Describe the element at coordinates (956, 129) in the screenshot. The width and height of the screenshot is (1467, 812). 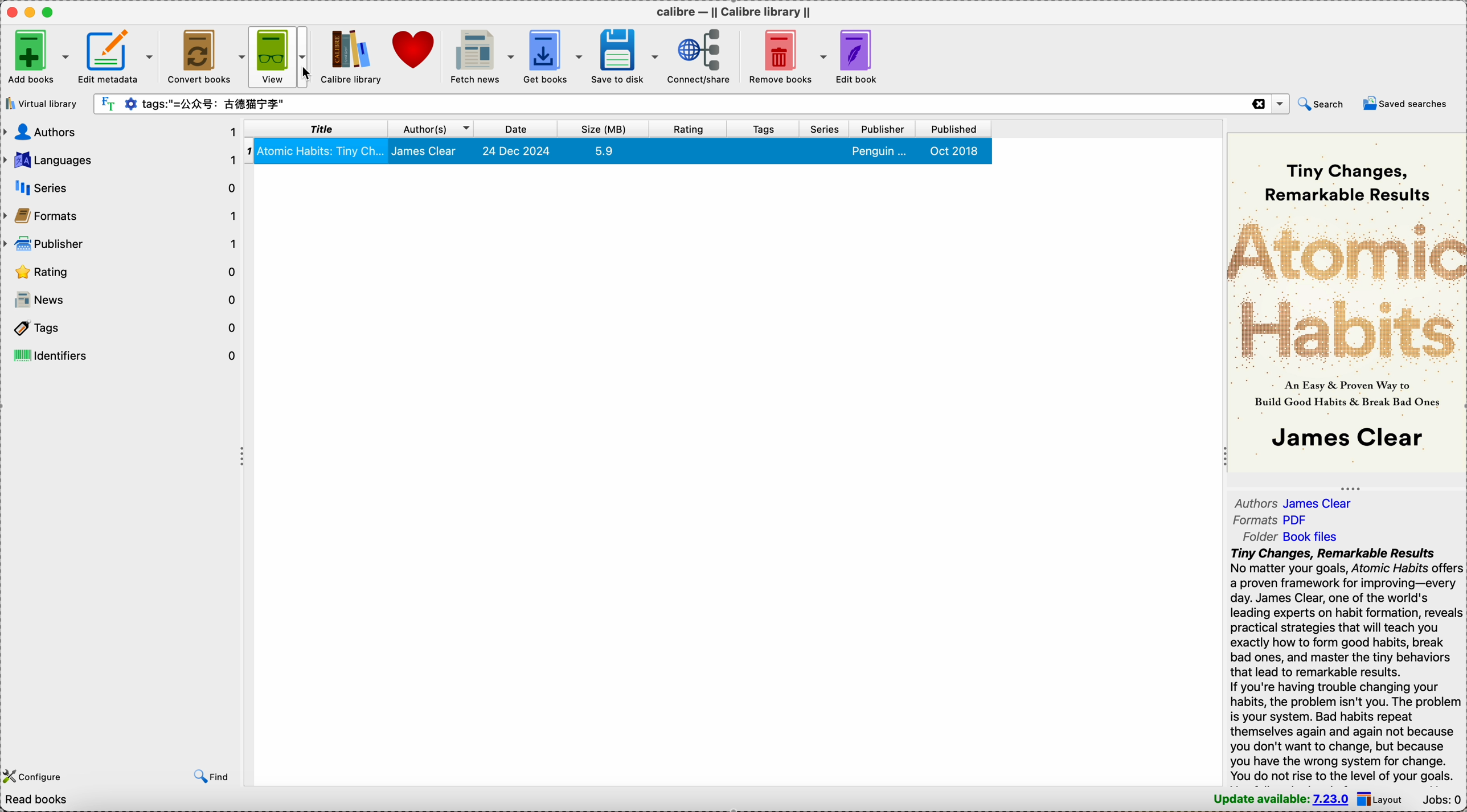
I see `published` at that location.